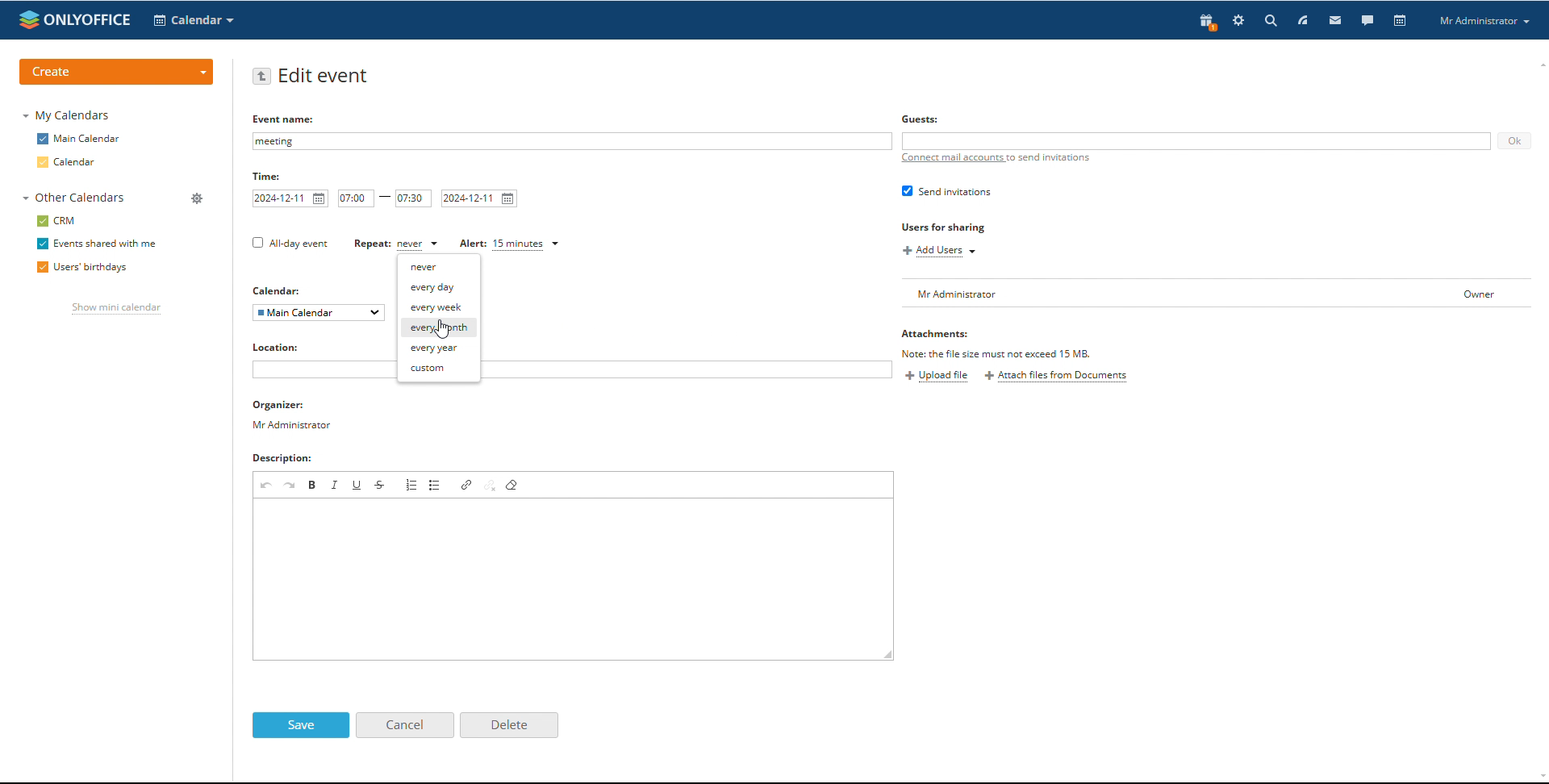  Describe the element at coordinates (1367, 21) in the screenshot. I see `talk` at that location.